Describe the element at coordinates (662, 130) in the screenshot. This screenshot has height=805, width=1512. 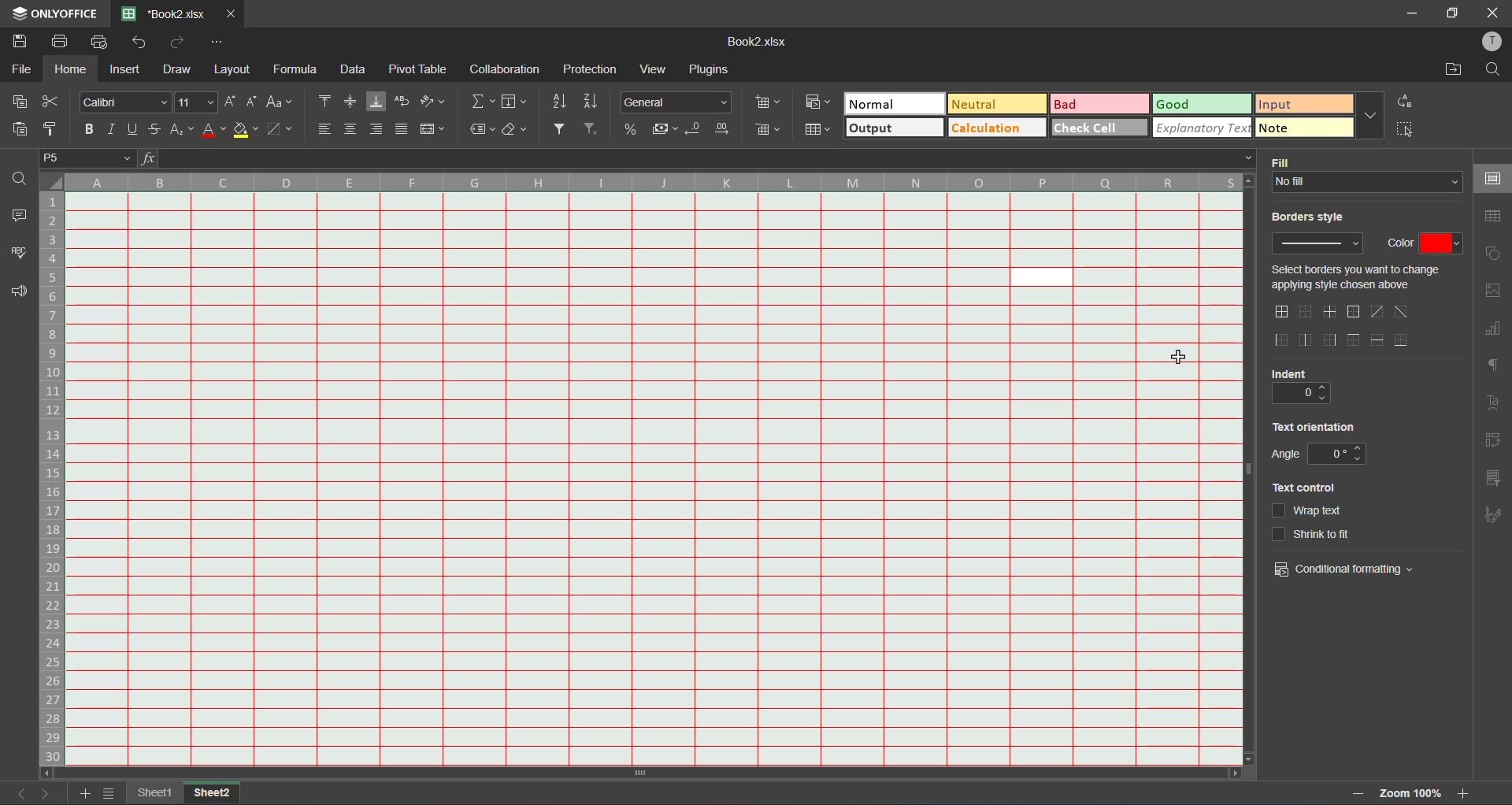
I see `accounting` at that location.